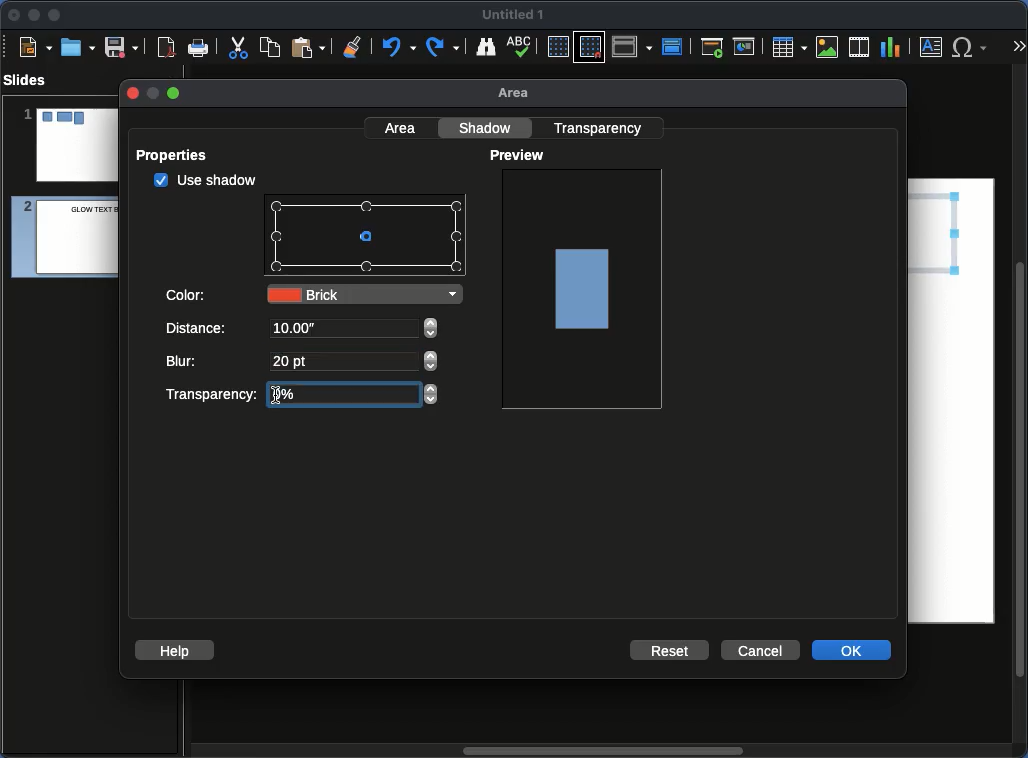  Describe the element at coordinates (747, 47) in the screenshot. I see `Current slide` at that location.